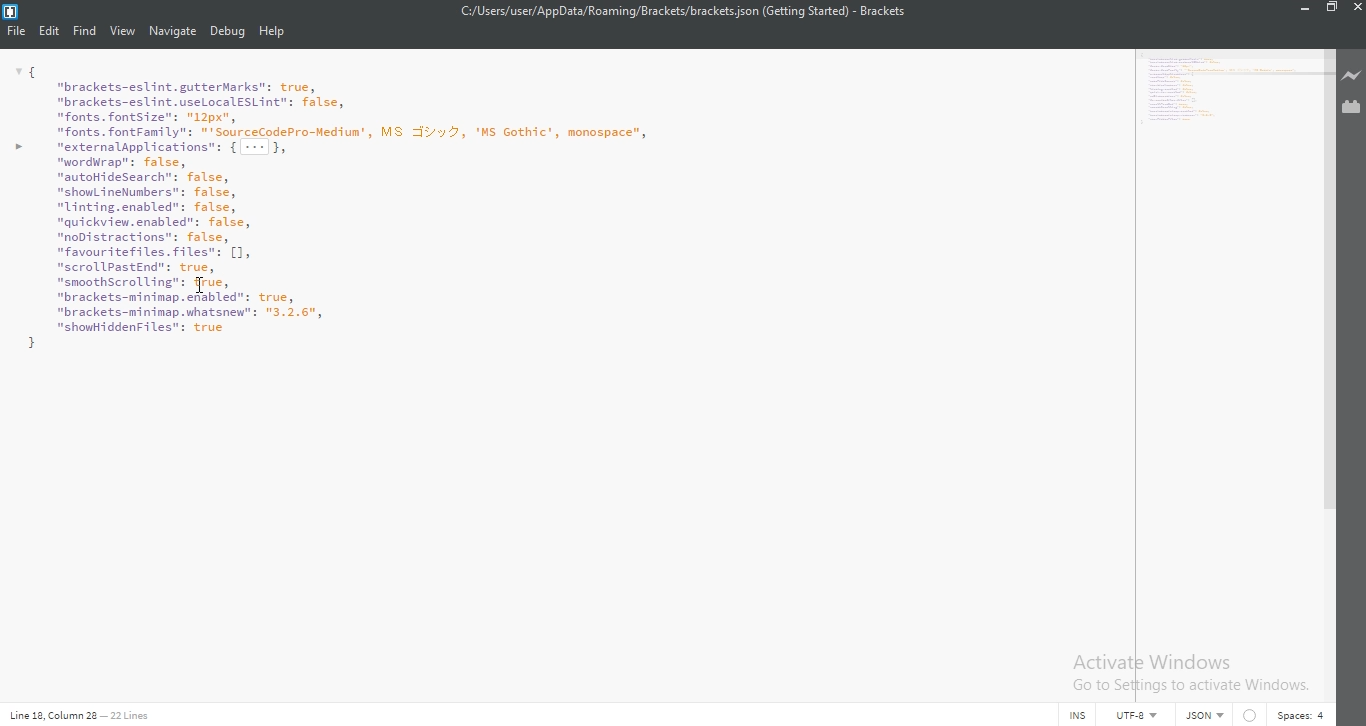 This screenshot has height=726, width=1366. What do you see at coordinates (1353, 109) in the screenshot?
I see `Extension Manager` at bounding box center [1353, 109].